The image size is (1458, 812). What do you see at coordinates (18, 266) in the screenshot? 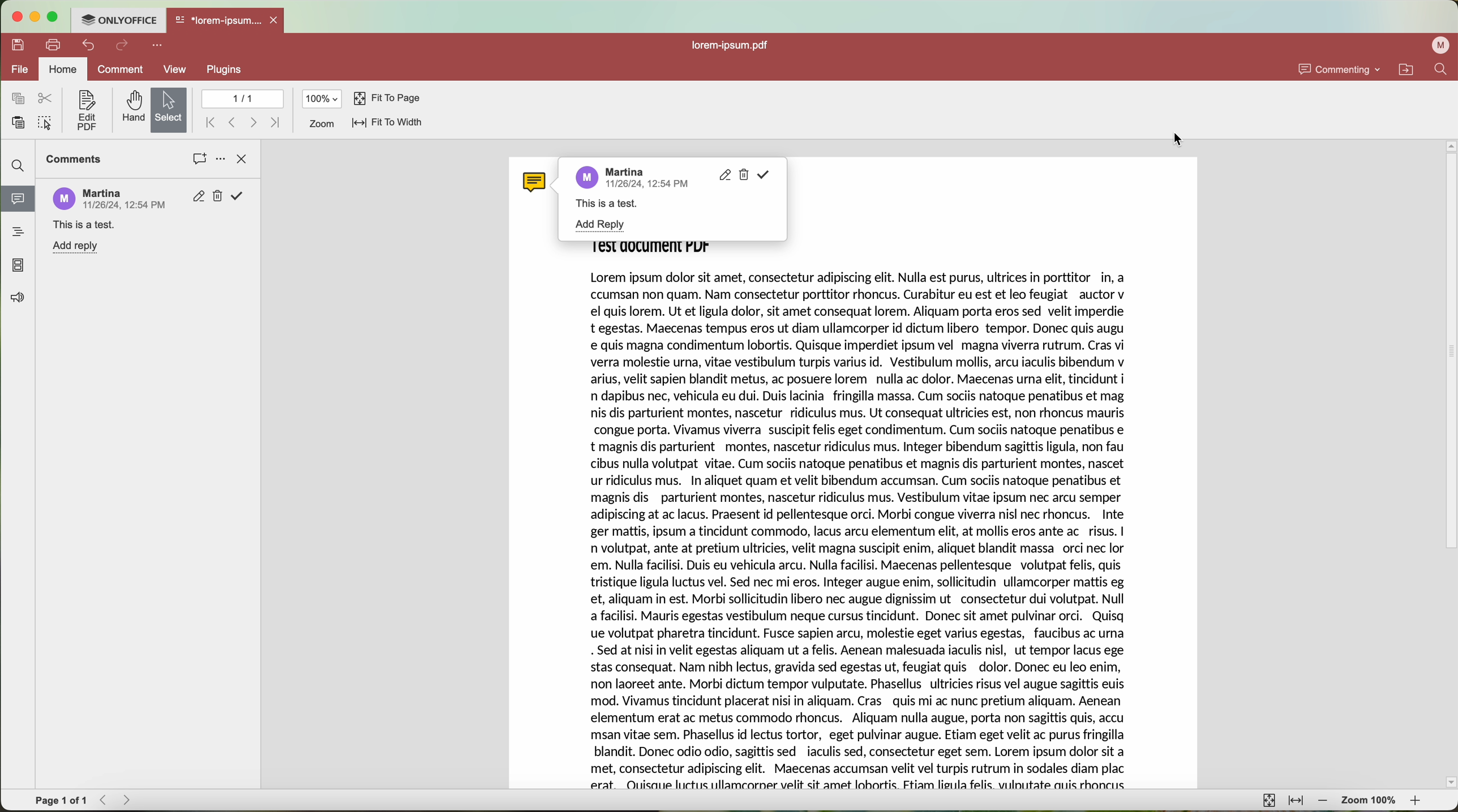
I see `page thumbnails` at bounding box center [18, 266].